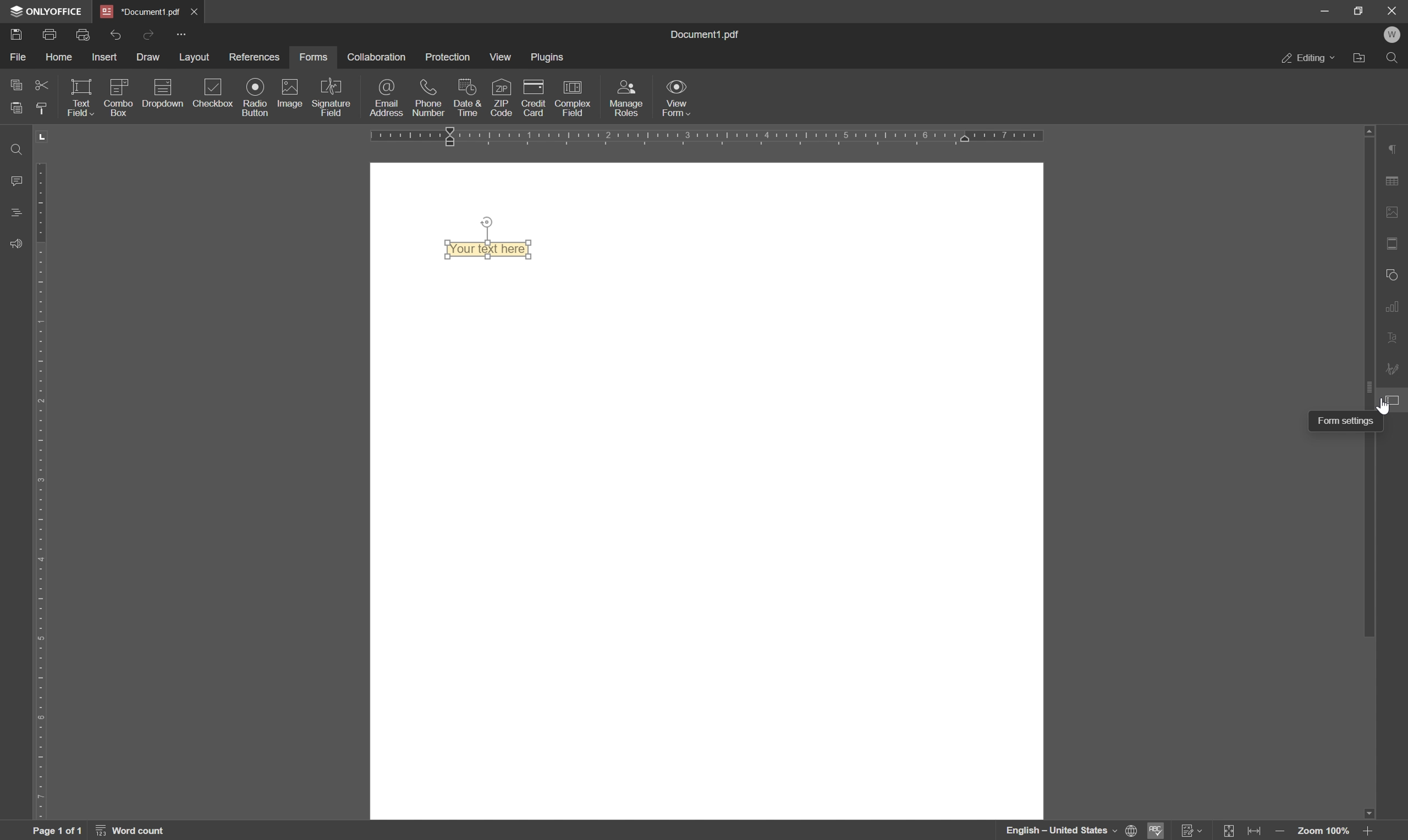 The width and height of the screenshot is (1408, 840). I want to click on icon, so click(161, 96).